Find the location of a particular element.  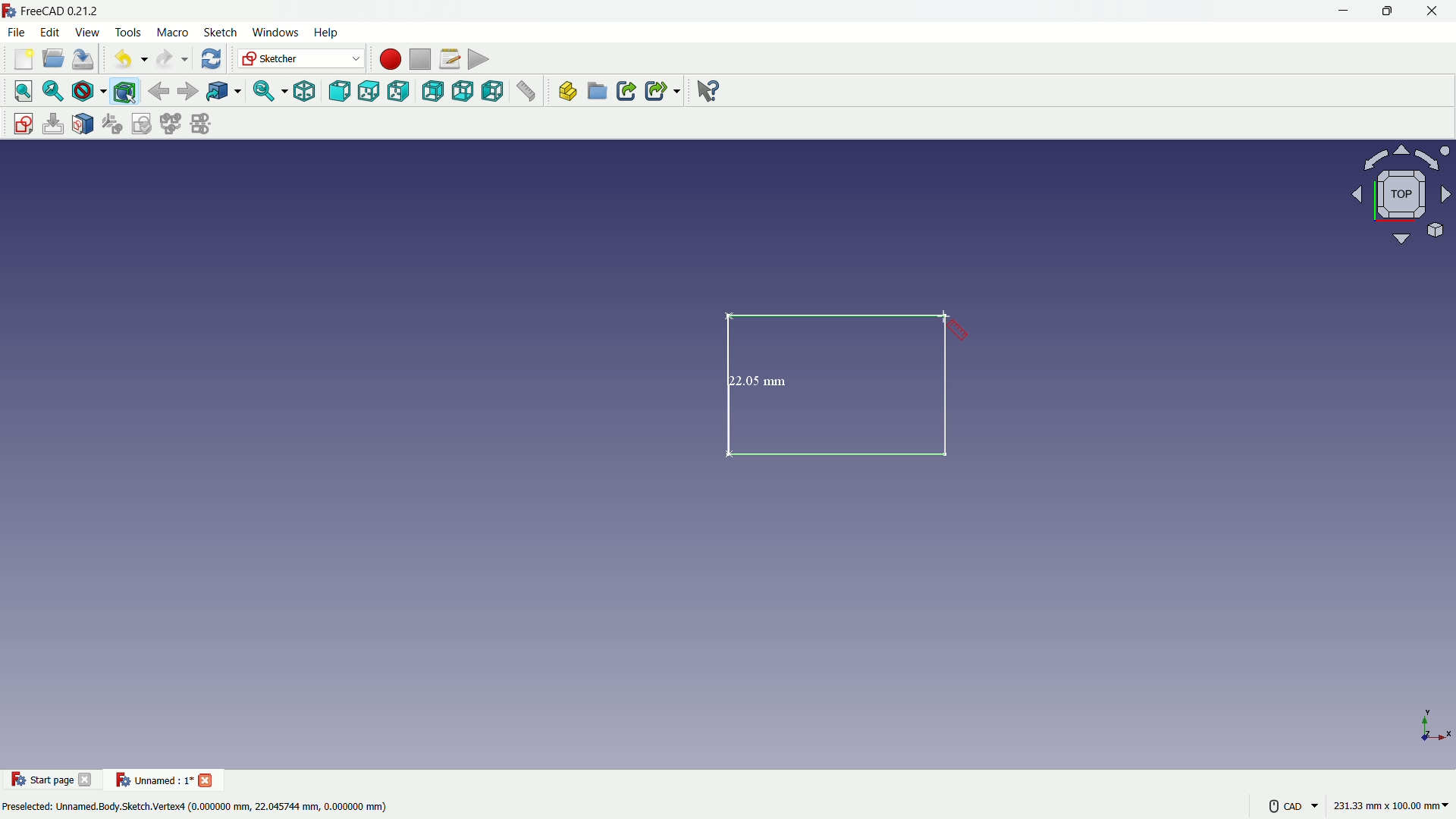

start macros is located at coordinates (388, 58).